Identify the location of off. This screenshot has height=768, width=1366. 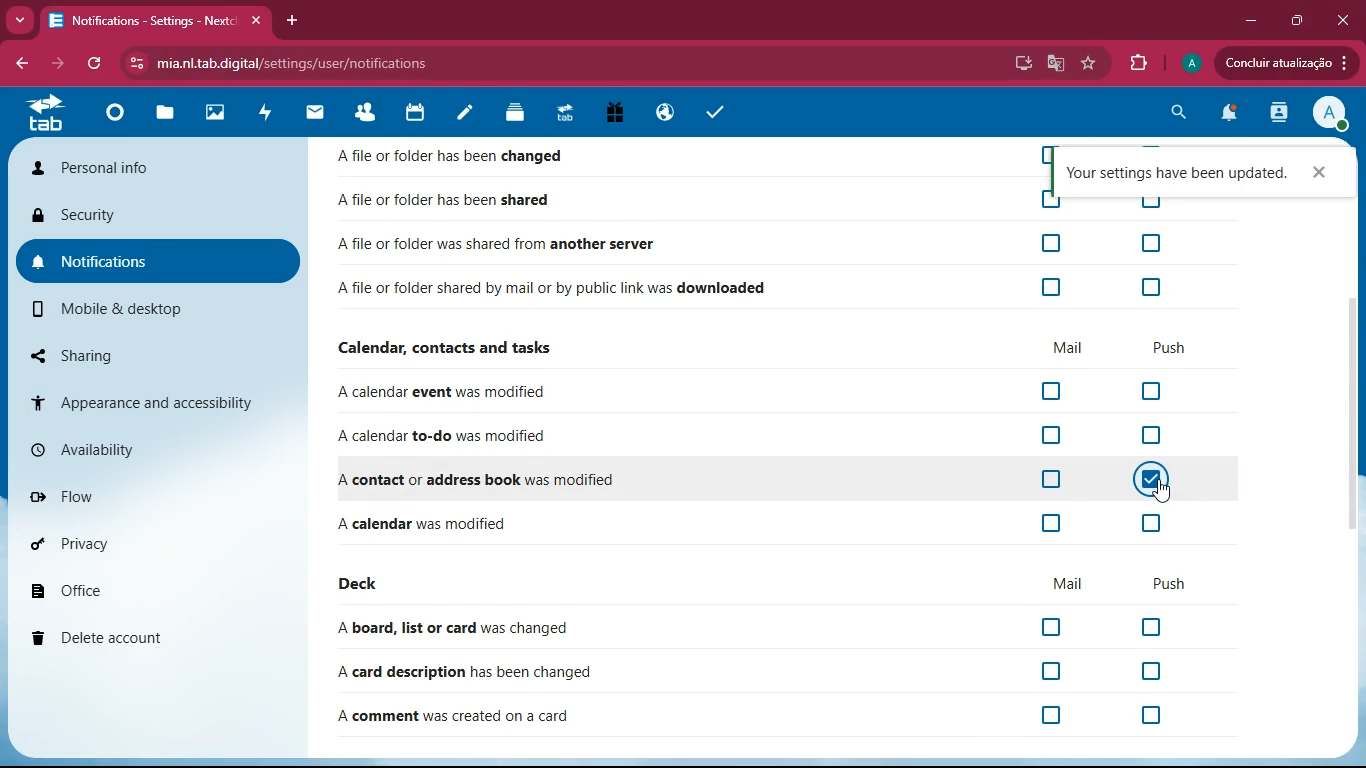
(1150, 523).